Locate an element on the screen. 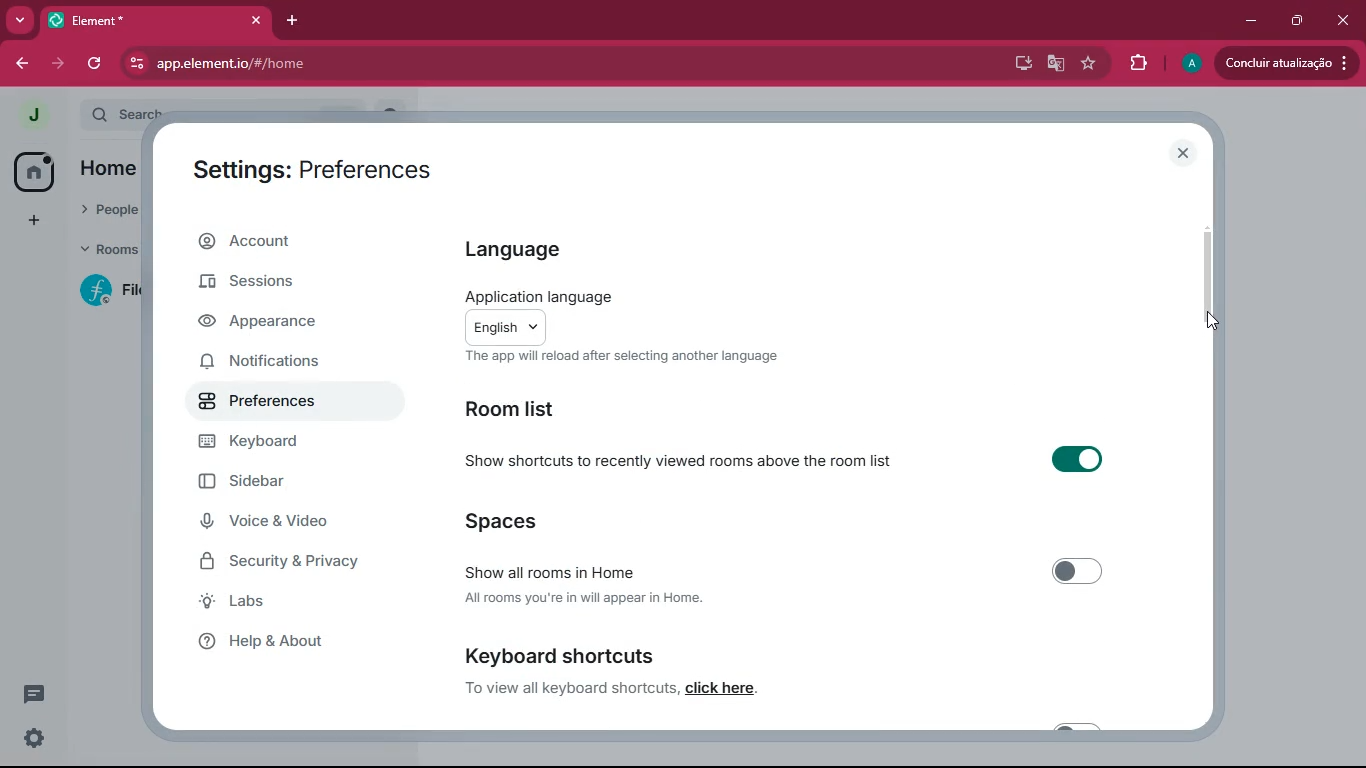  sidebar is located at coordinates (282, 484).